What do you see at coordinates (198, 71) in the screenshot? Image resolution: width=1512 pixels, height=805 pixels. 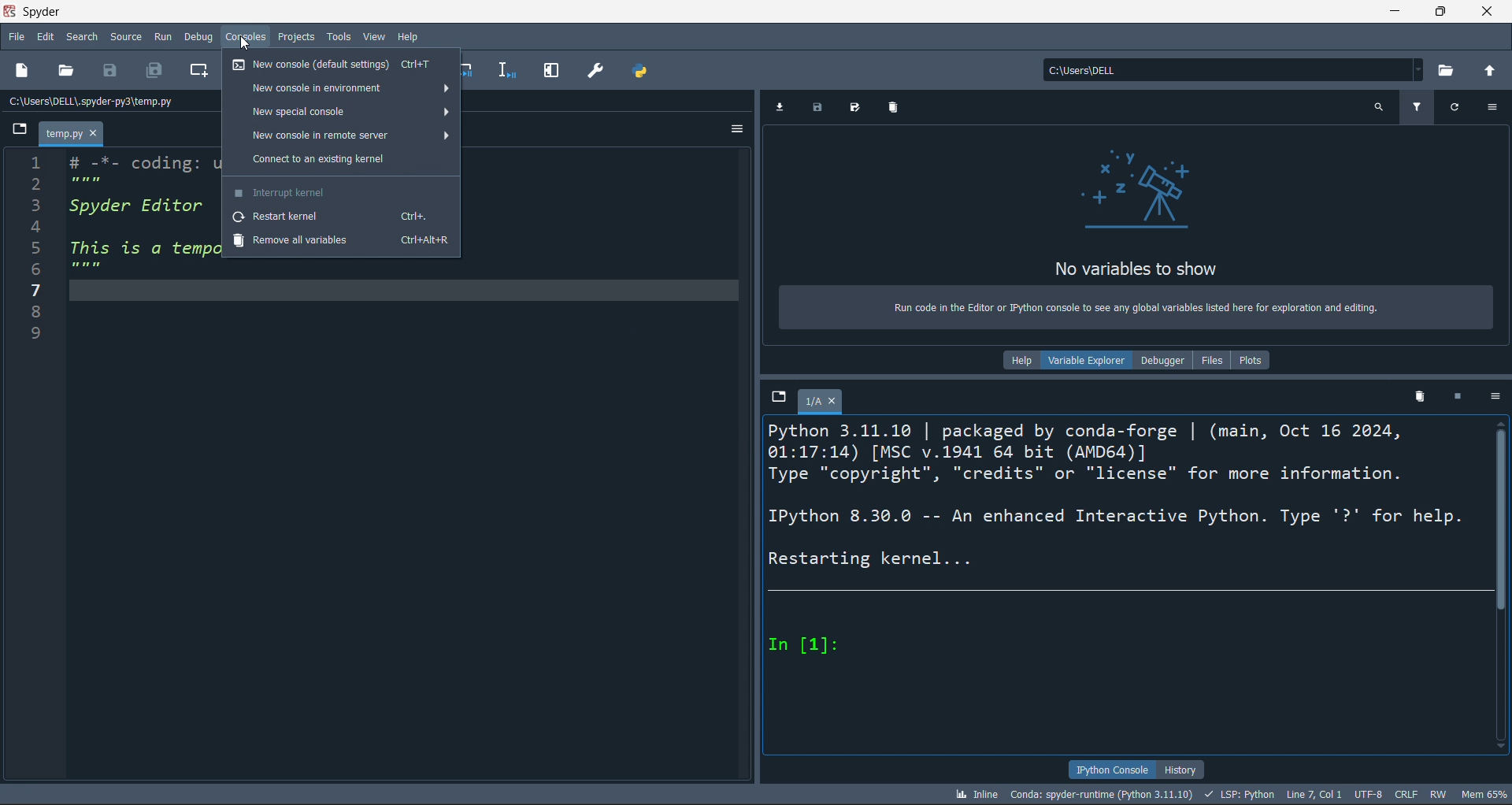 I see `new cell` at bounding box center [198, 71].